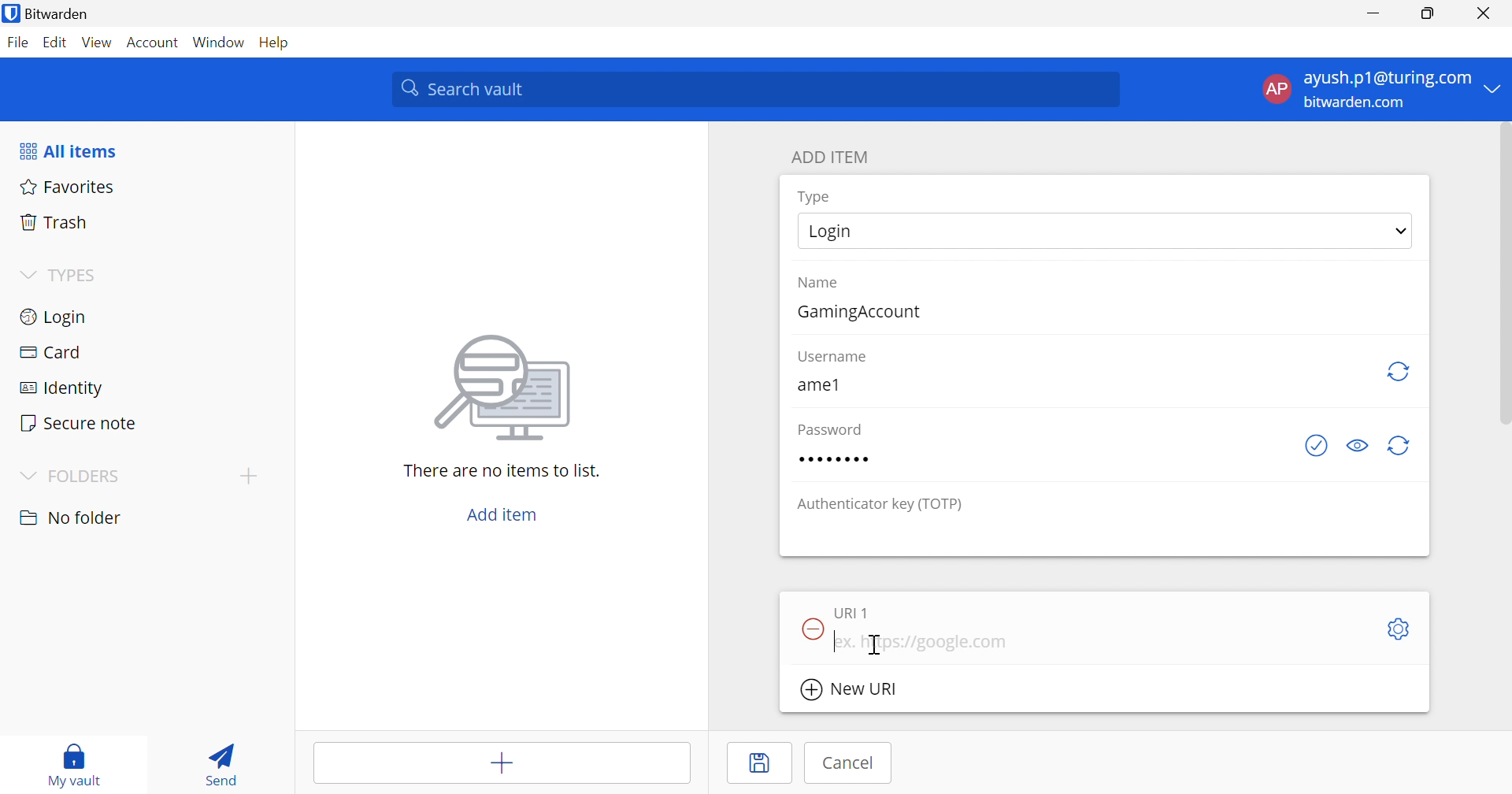 The height and width of the screenshot is (794, 1512). Describe the element at coordinates (80, 421) in the screenshot. I see `Secure note` at that location.